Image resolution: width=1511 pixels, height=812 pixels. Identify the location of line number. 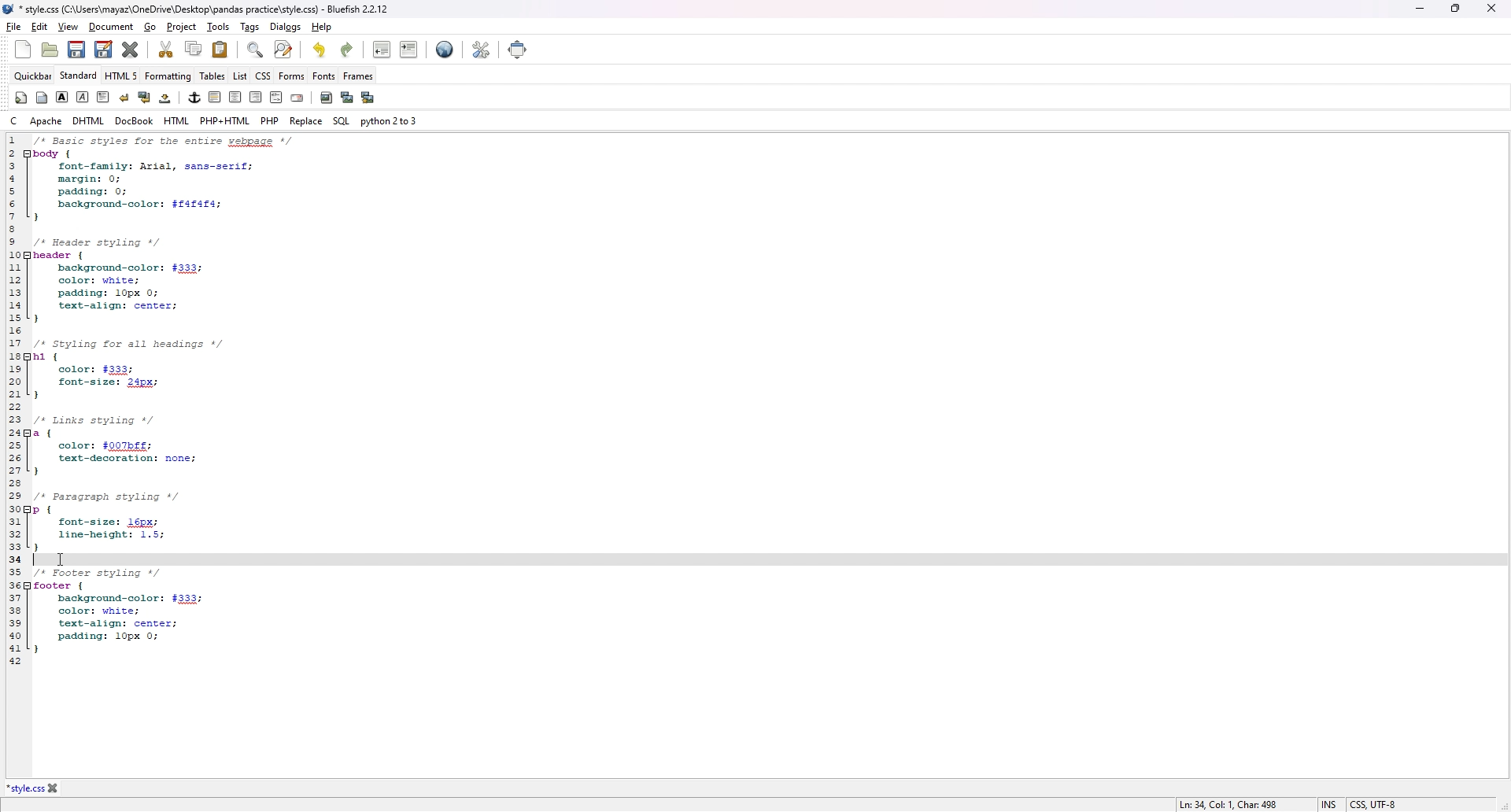
(11, 400).